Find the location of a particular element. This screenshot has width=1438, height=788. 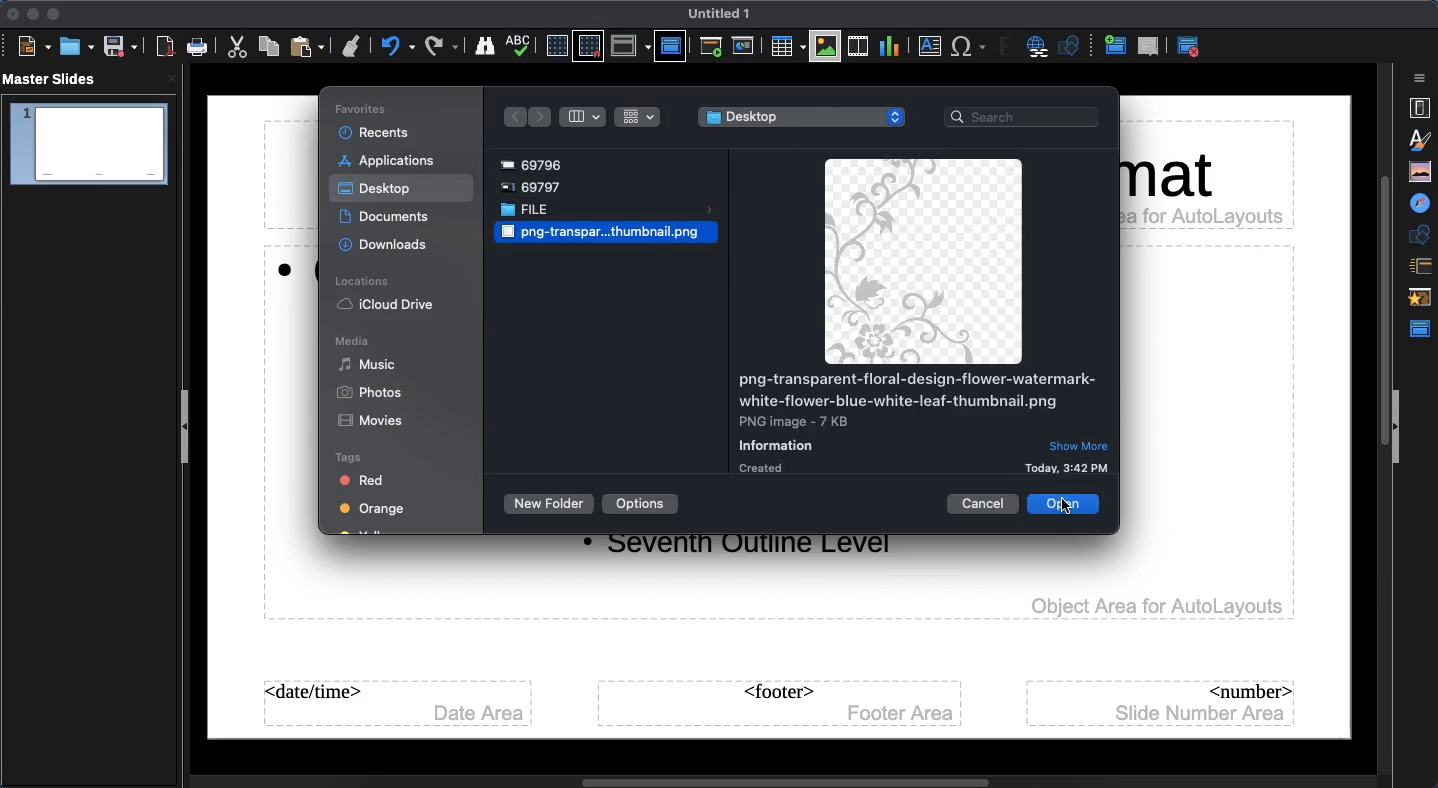

Search is located at coordinates (1025, 118).